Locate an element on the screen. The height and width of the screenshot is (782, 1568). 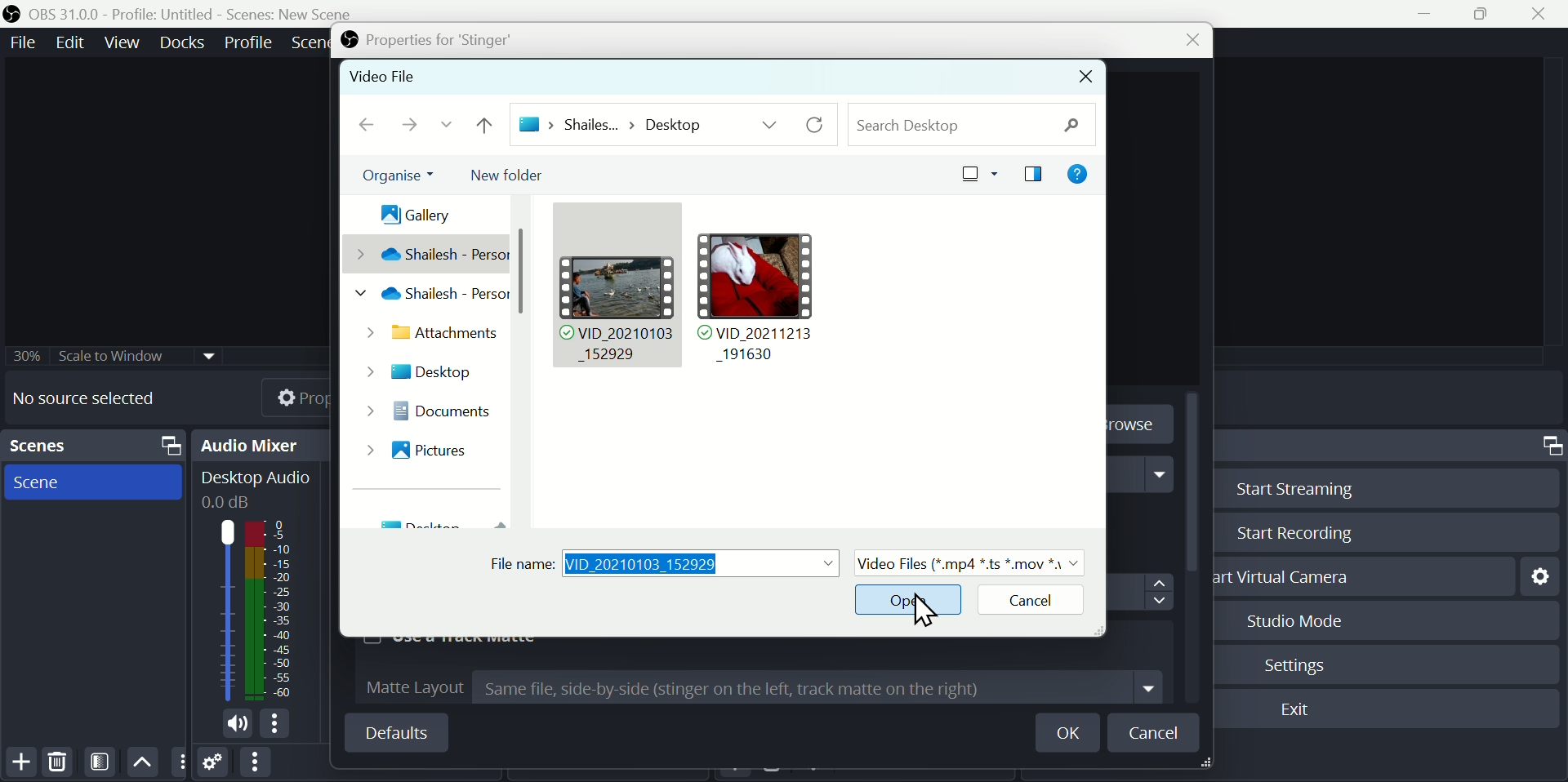
scenes is located at coordinates (93, 482).